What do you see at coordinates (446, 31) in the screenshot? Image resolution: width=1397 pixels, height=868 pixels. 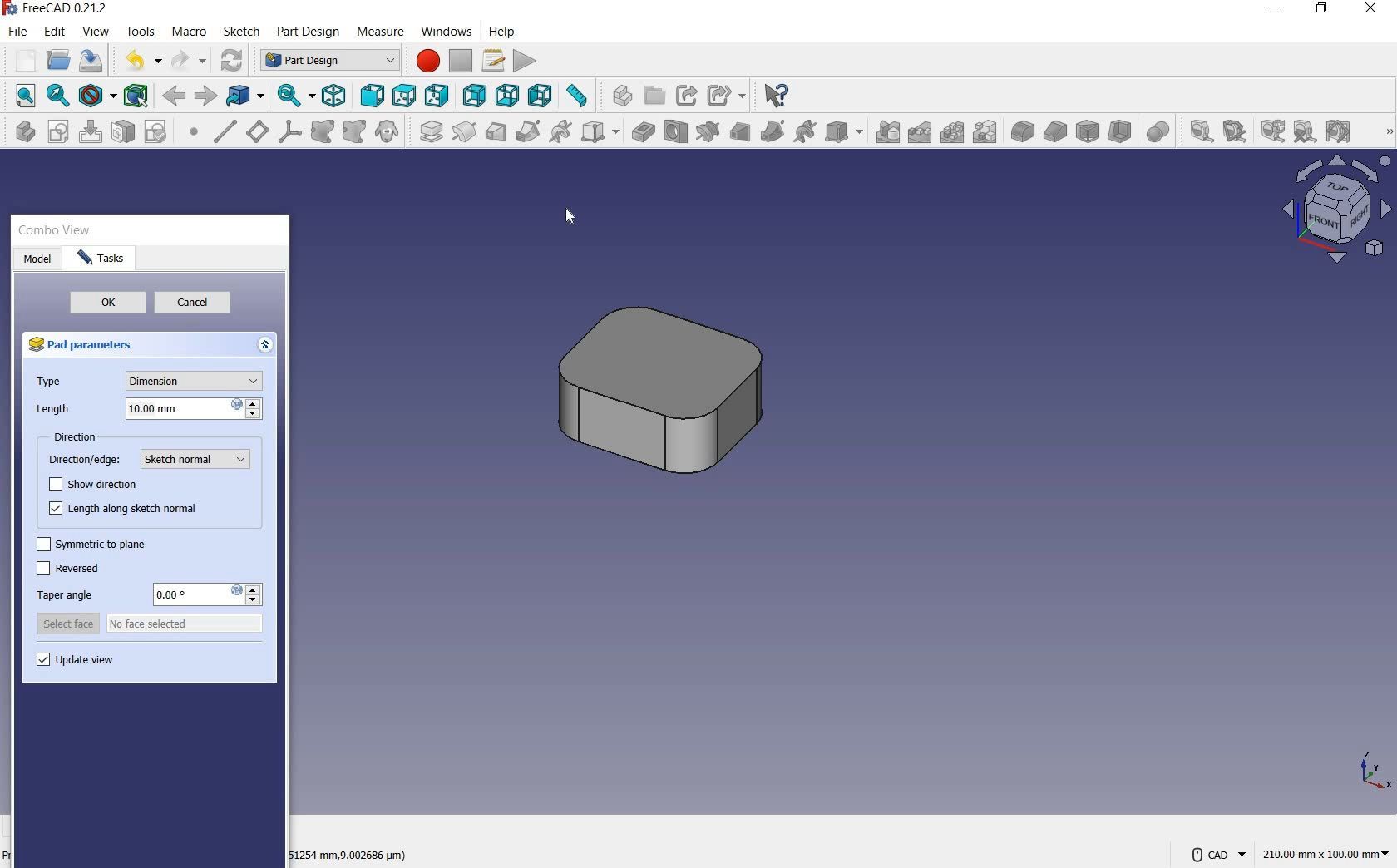 I see `Cursor` at bounding box center [446, 31].